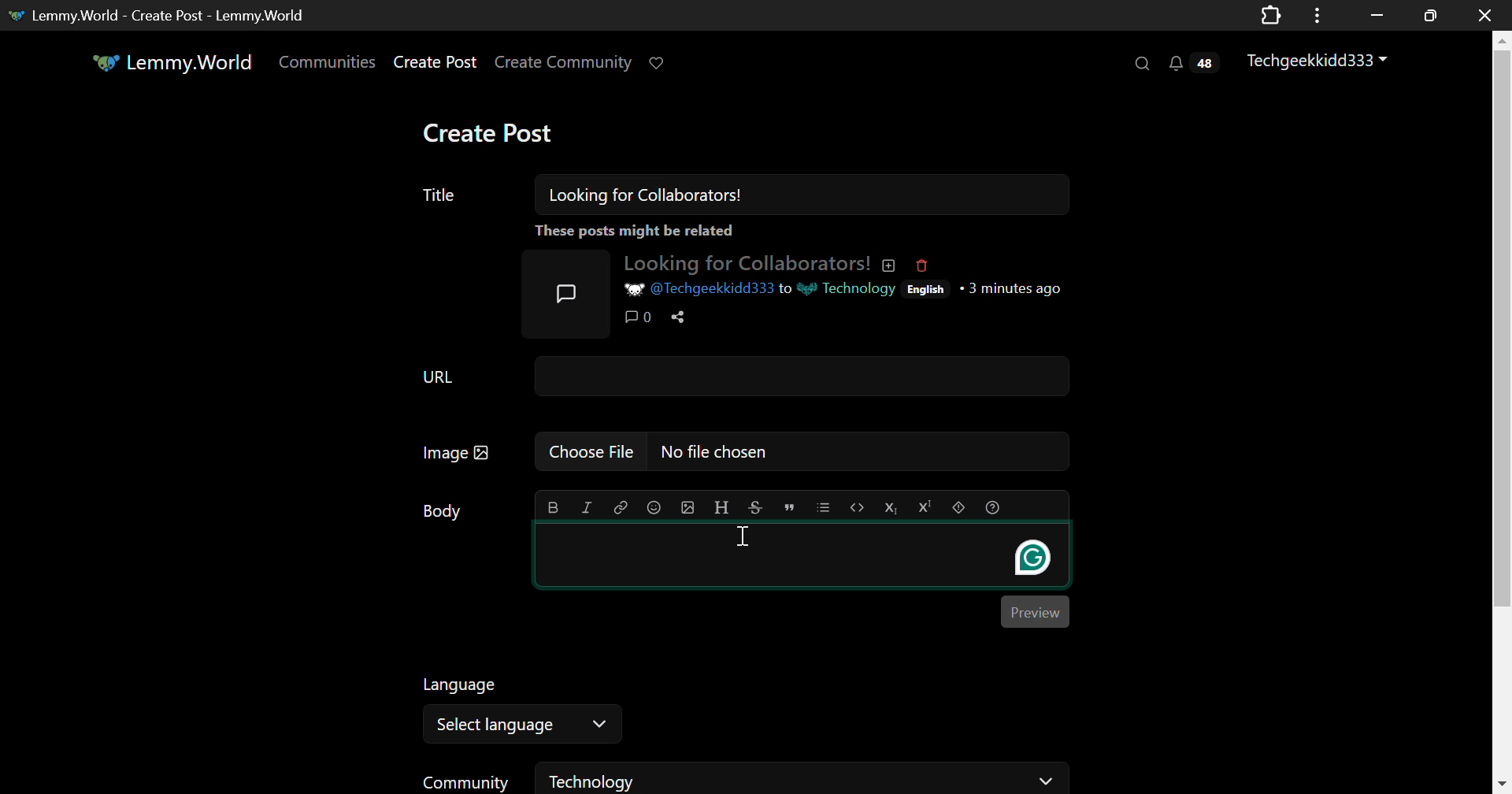 This screenshot has width=1512, height=794. I want to click on code, so click(858, 507).